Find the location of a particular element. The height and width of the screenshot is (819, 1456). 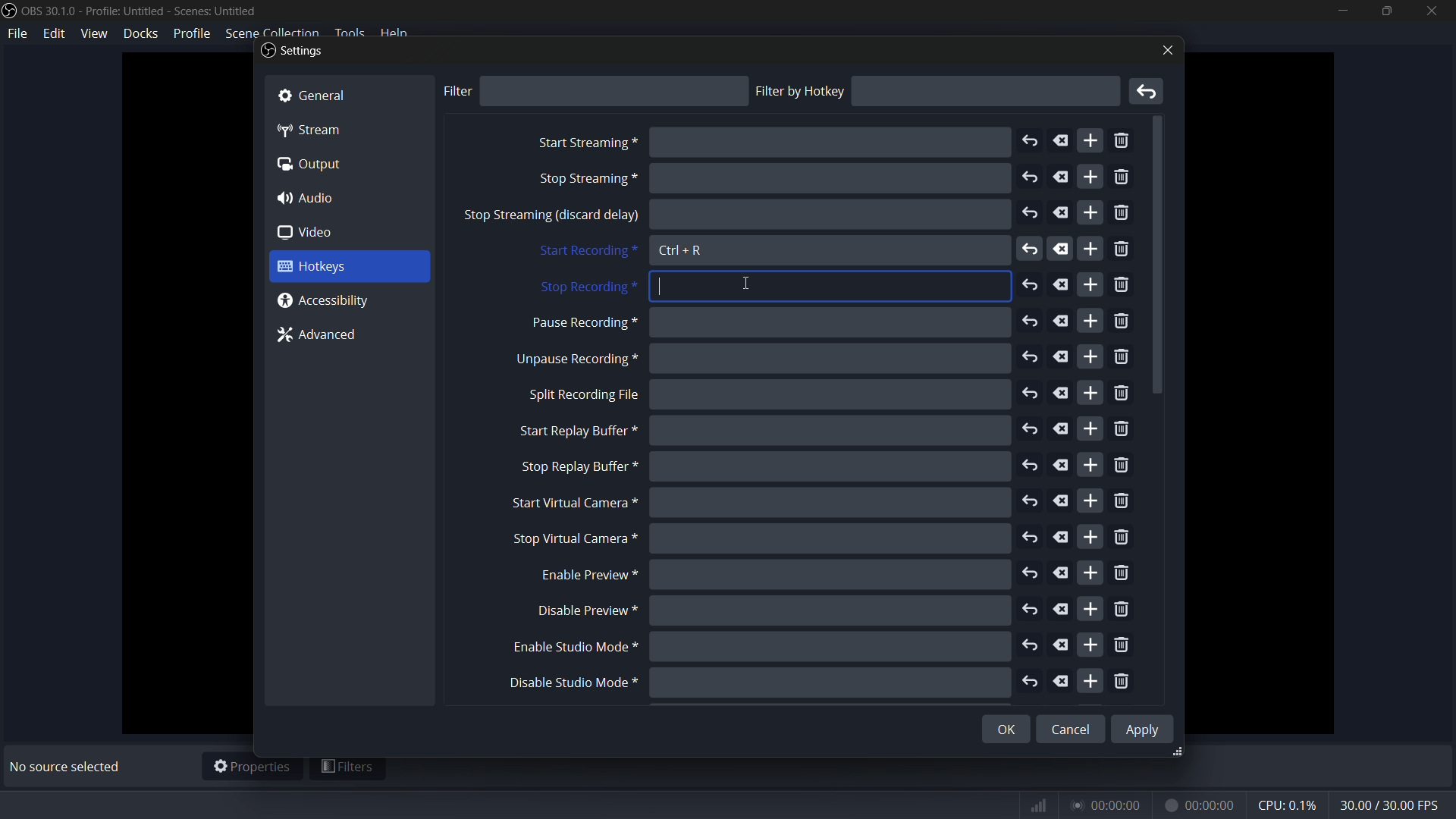

Settings is located at coordinates (292, 52).